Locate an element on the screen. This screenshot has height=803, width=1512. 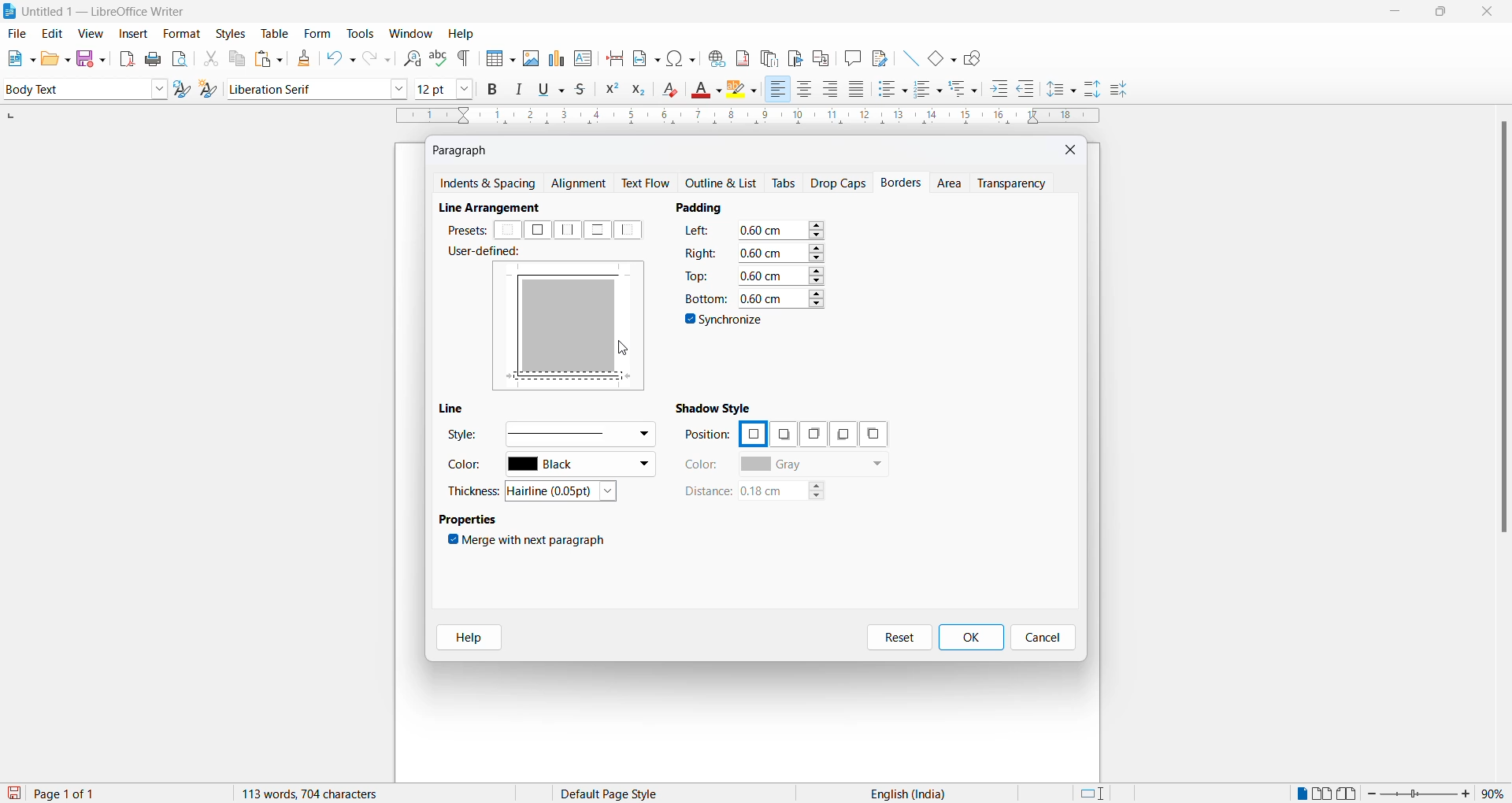
clear direct formatting is located at coordinates (674, 91).